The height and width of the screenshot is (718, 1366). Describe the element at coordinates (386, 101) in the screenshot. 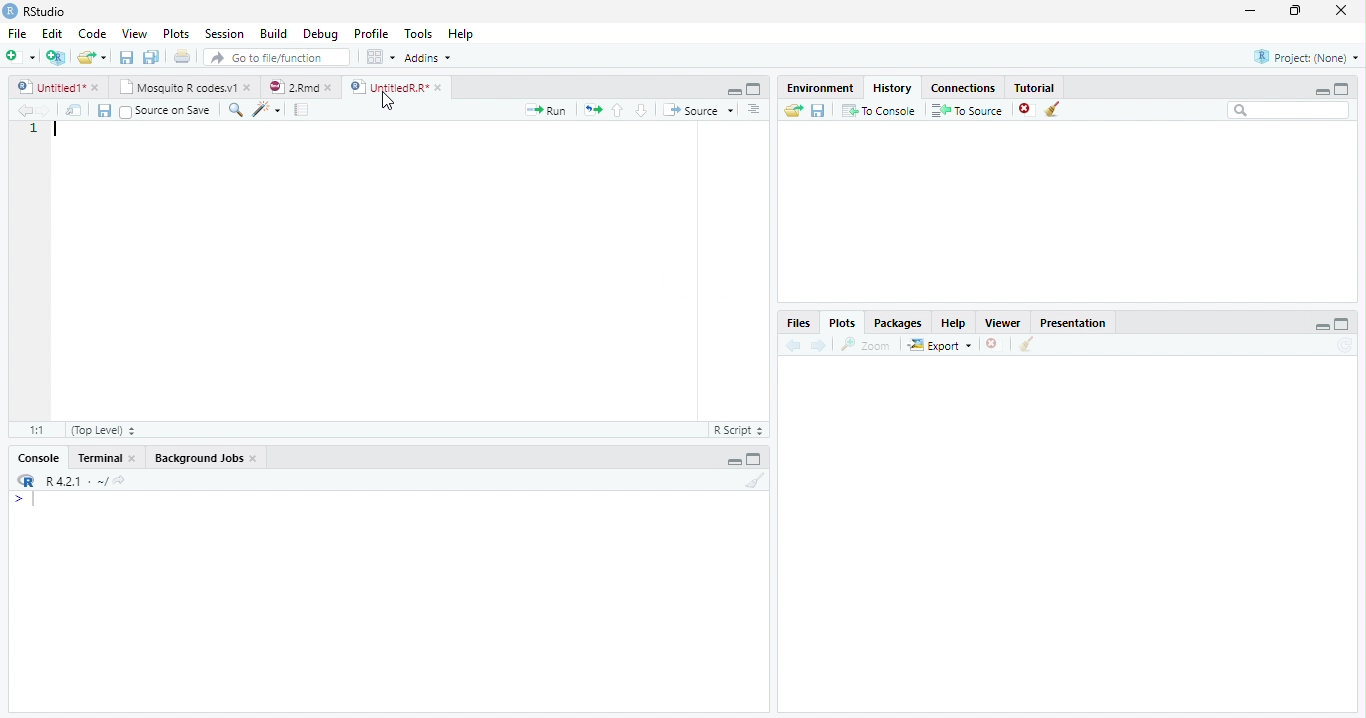

I see `cursor` at that location.